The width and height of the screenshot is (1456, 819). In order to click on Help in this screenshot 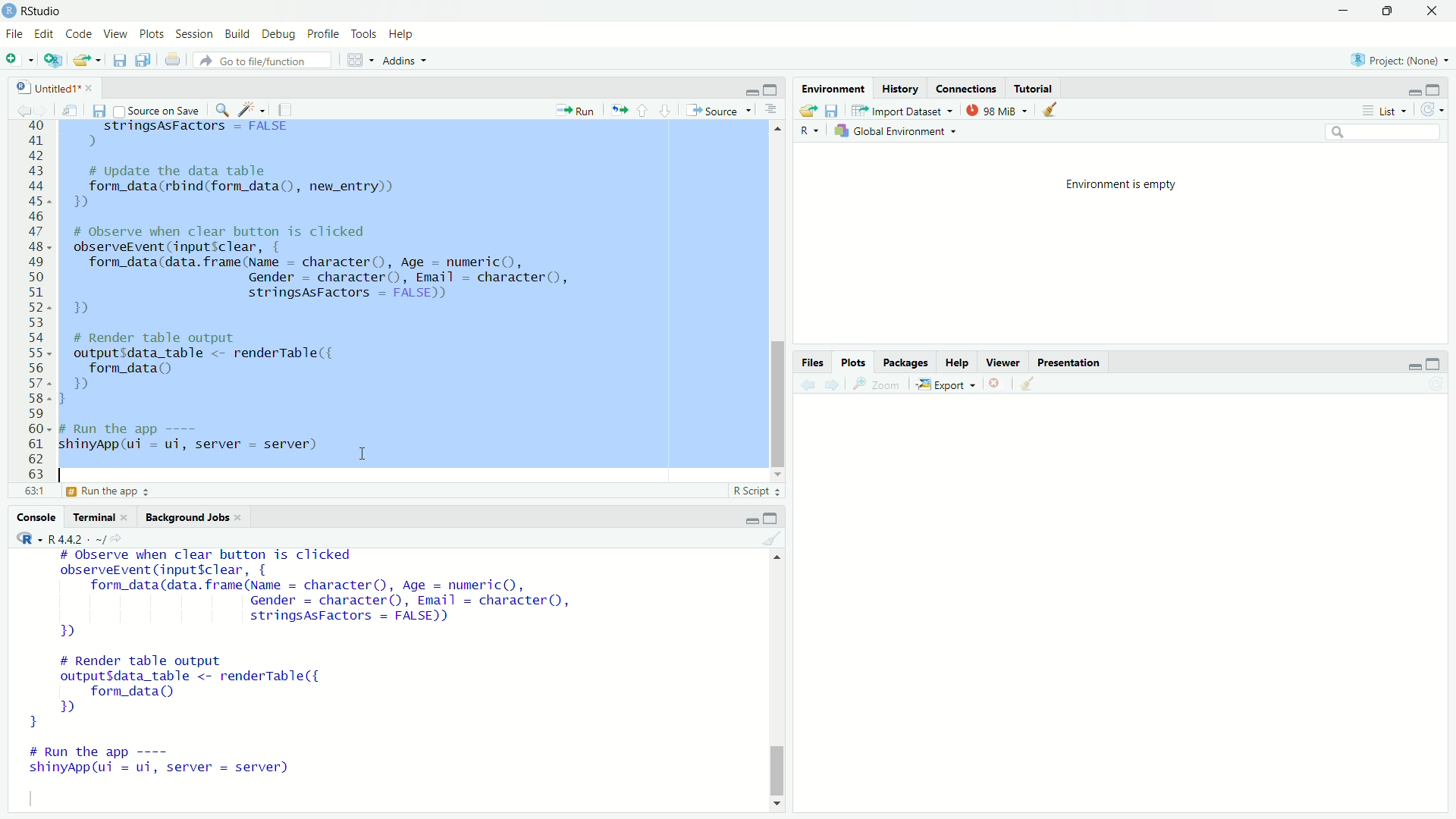, I will do `click(403, 33)`.